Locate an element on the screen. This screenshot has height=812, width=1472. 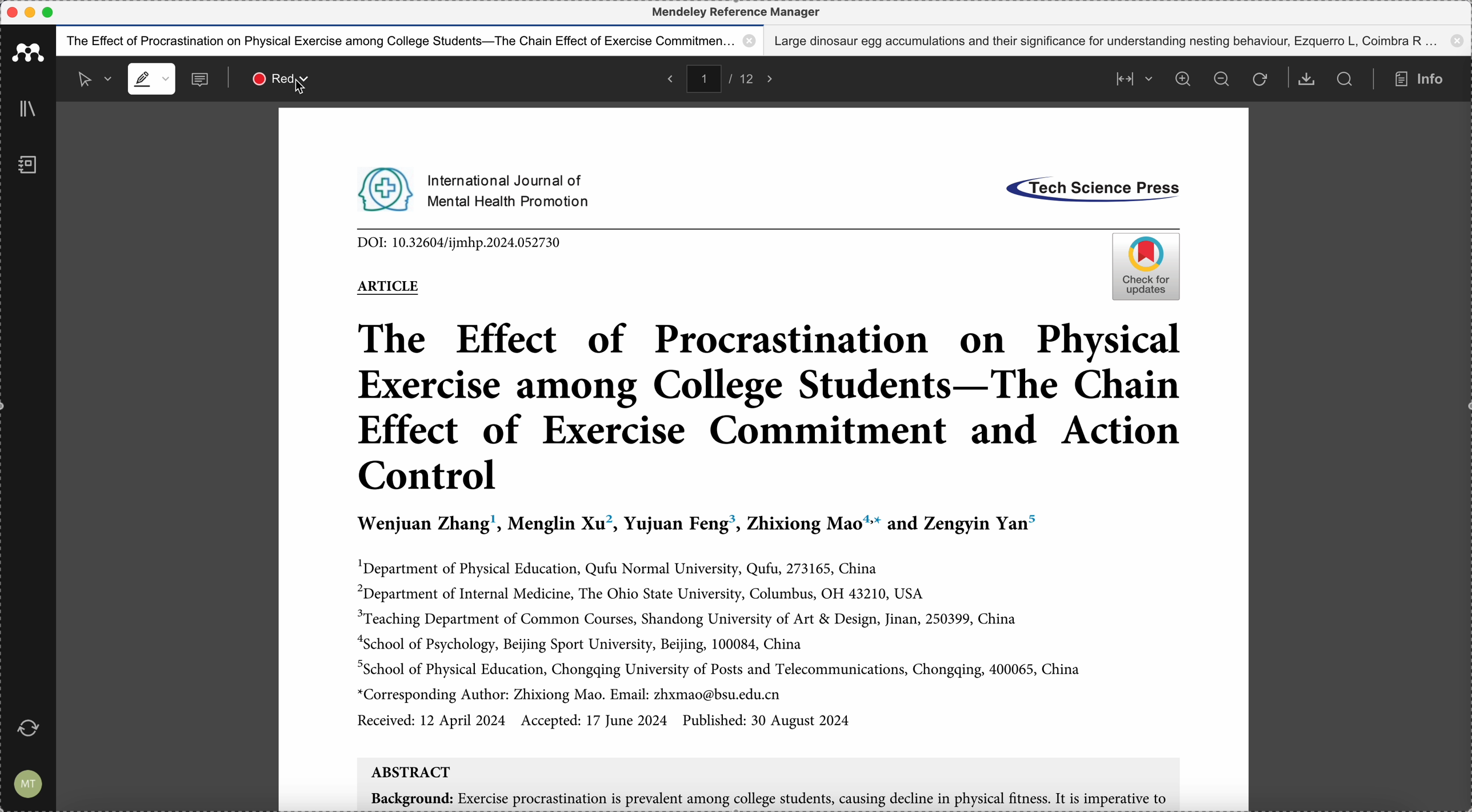
search is located at coordinates (1345, 79).